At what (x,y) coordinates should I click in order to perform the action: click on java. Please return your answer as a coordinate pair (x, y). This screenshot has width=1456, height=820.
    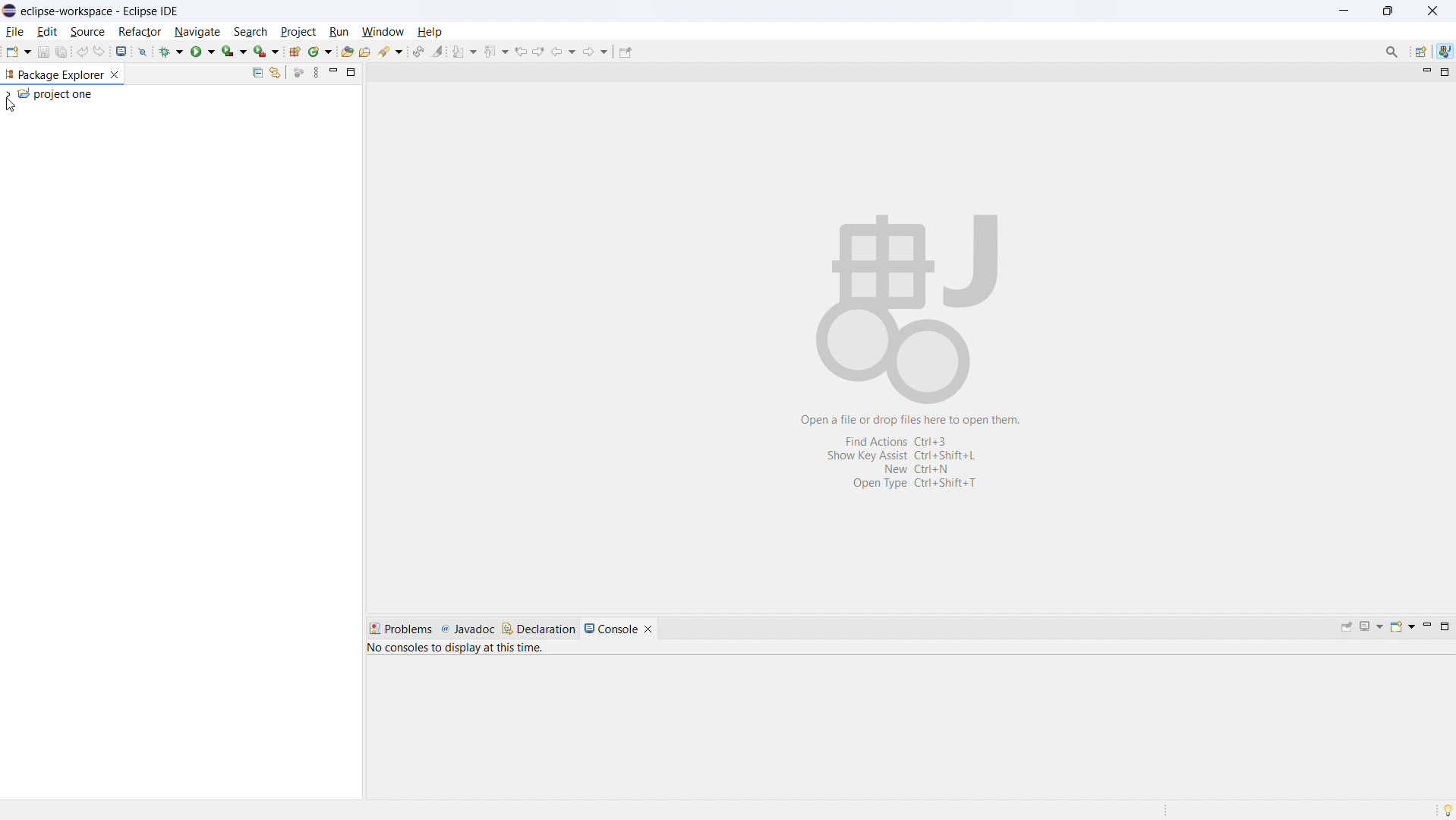
    Looking at the image, I should click on (1445, 52).